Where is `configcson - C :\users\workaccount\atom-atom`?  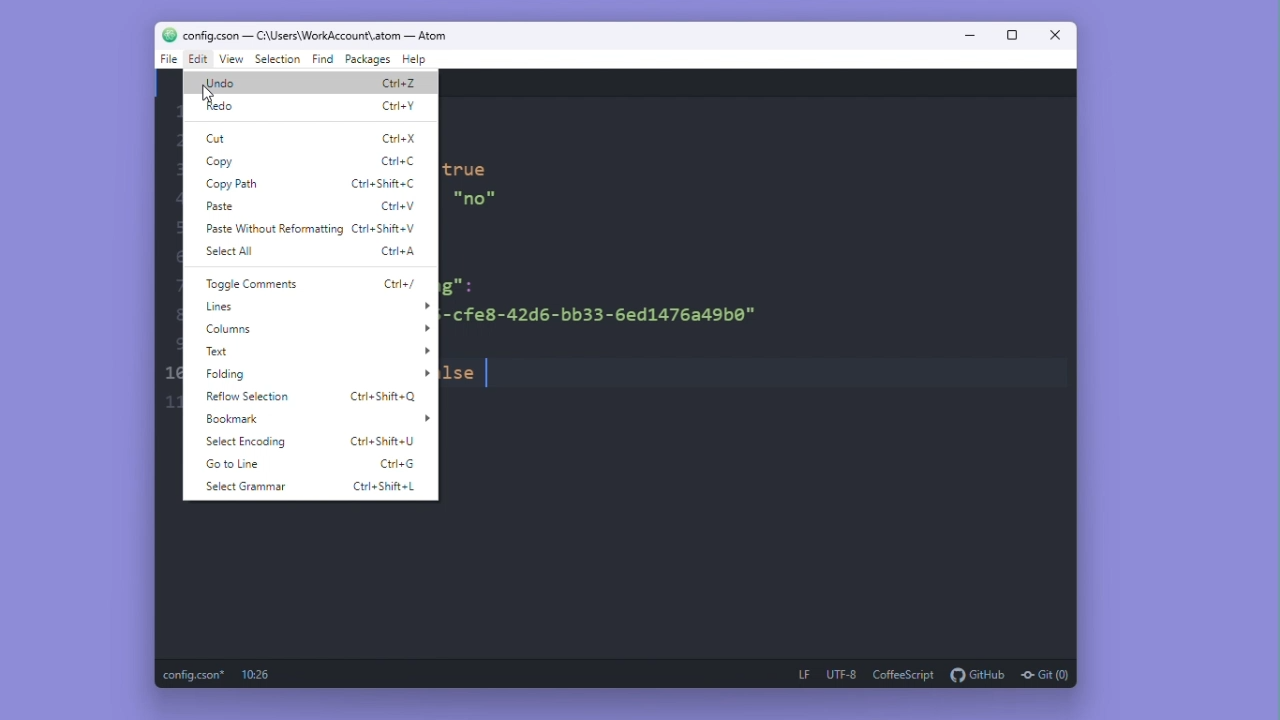 configcson - C :\users\workaccount\atom-atom is located at coordinates (327, 35).